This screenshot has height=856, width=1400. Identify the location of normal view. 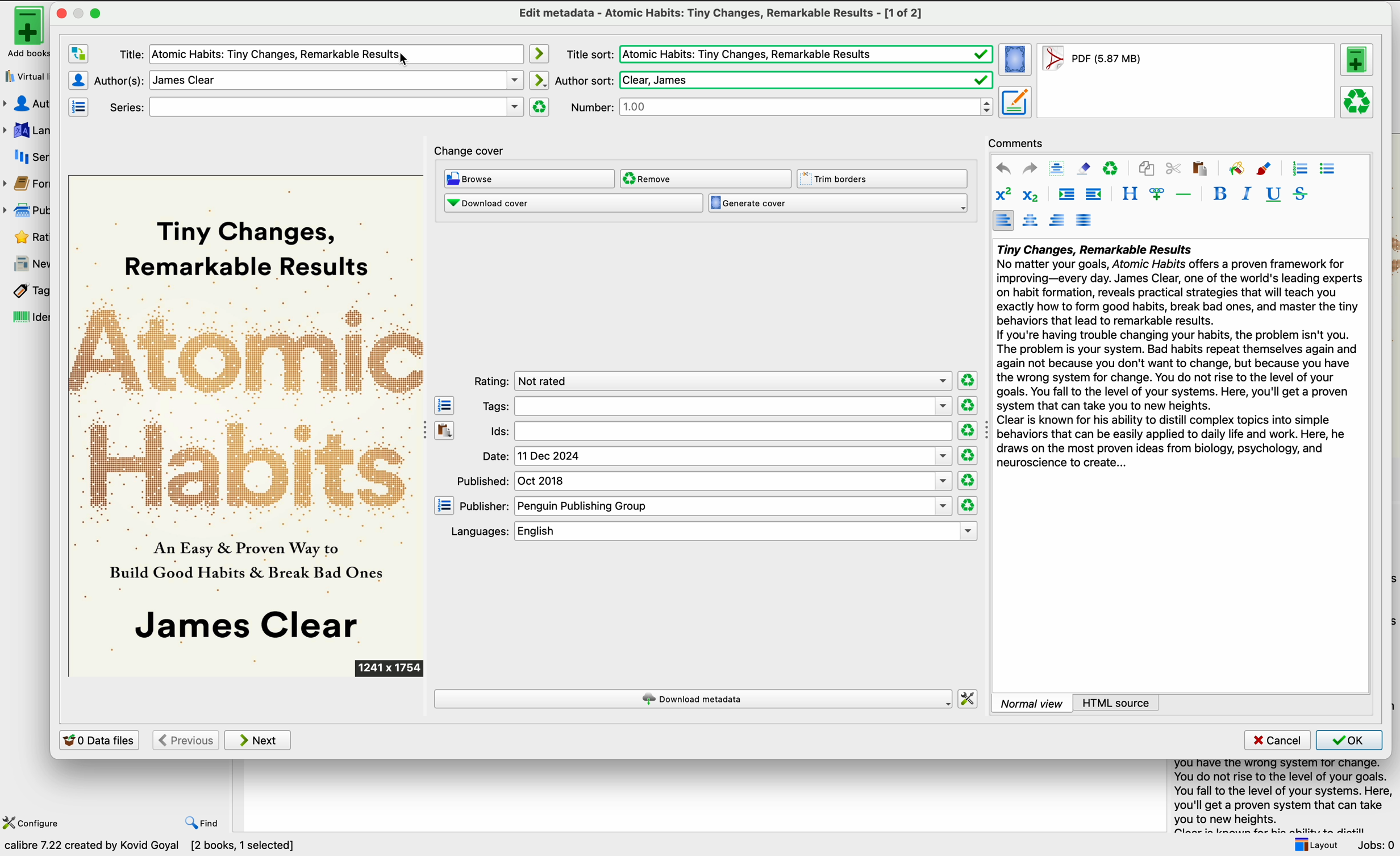
(1032, 703).